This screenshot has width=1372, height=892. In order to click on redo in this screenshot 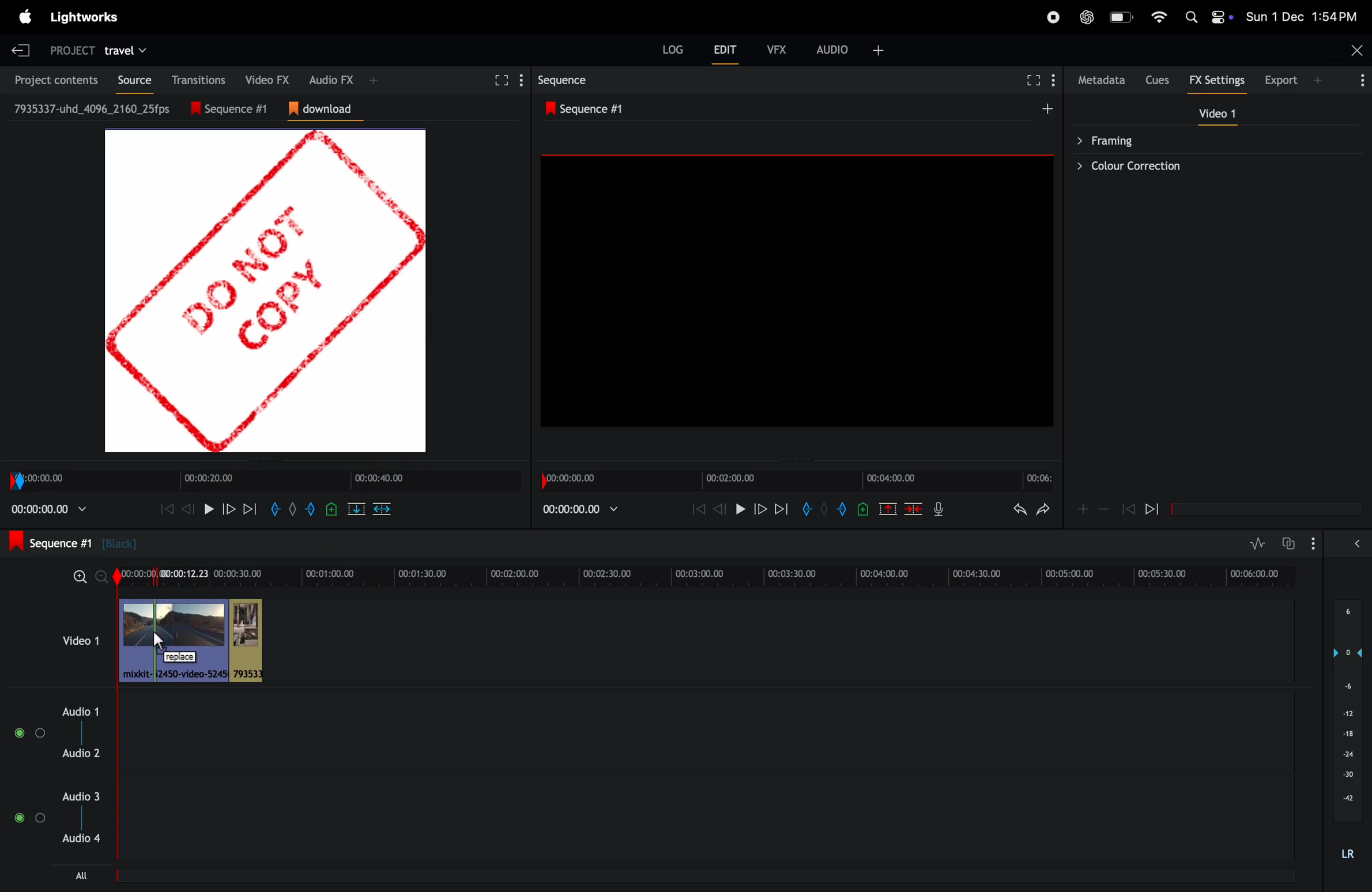, I will do `click(1043, 509)`.